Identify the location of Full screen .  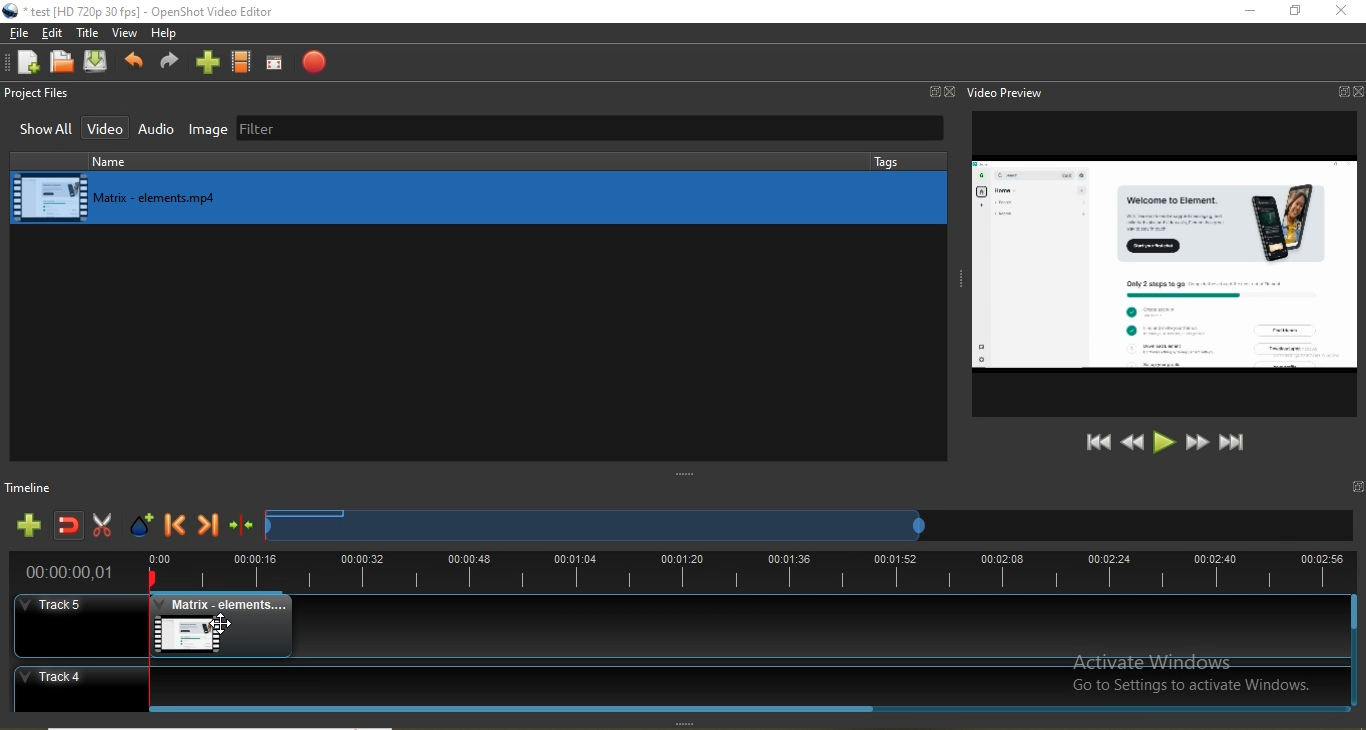
(274, 63).